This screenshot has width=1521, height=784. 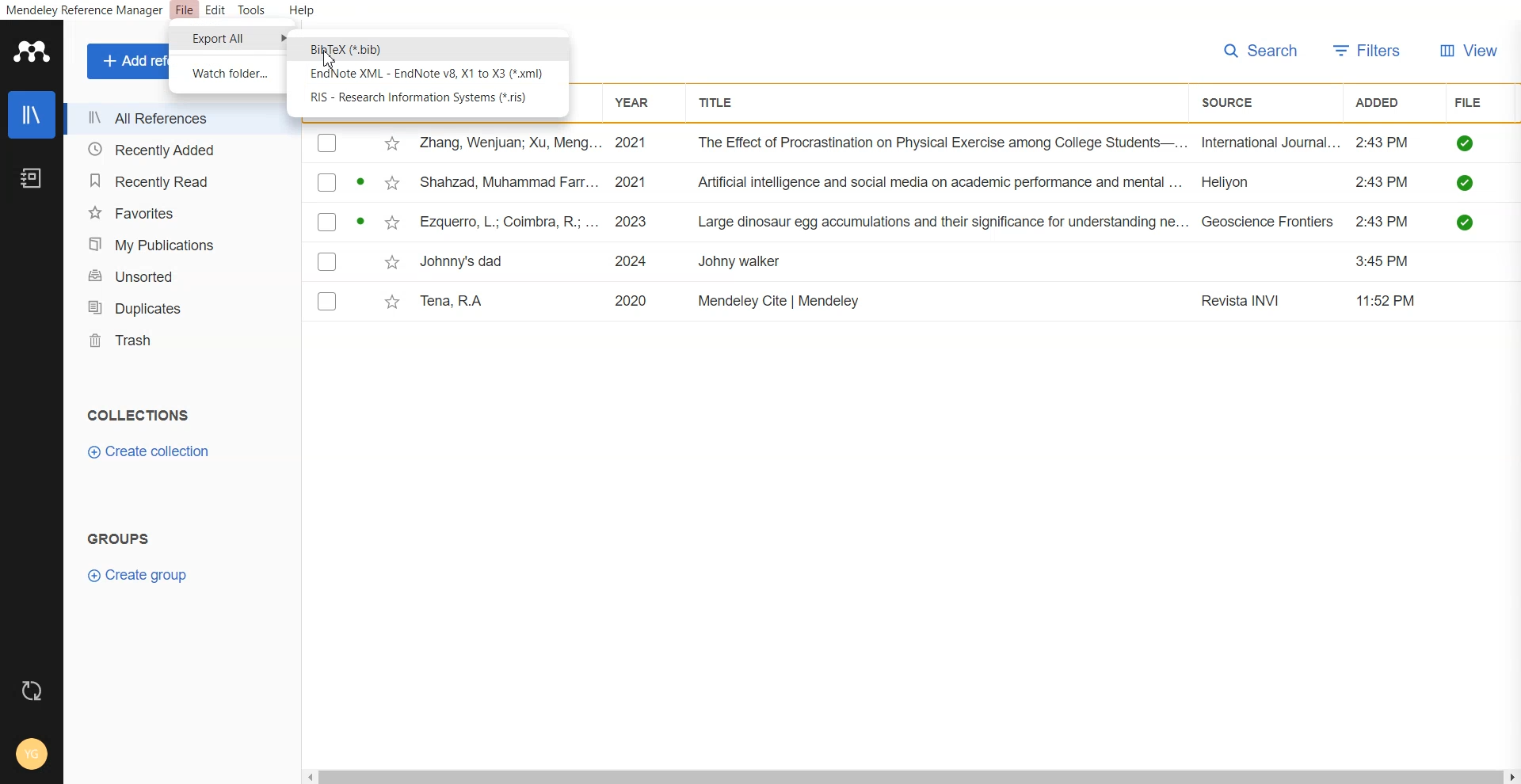 I want to click on Zhang, Wenjuan; Xu, Meng..., so click(x=509, y=143).